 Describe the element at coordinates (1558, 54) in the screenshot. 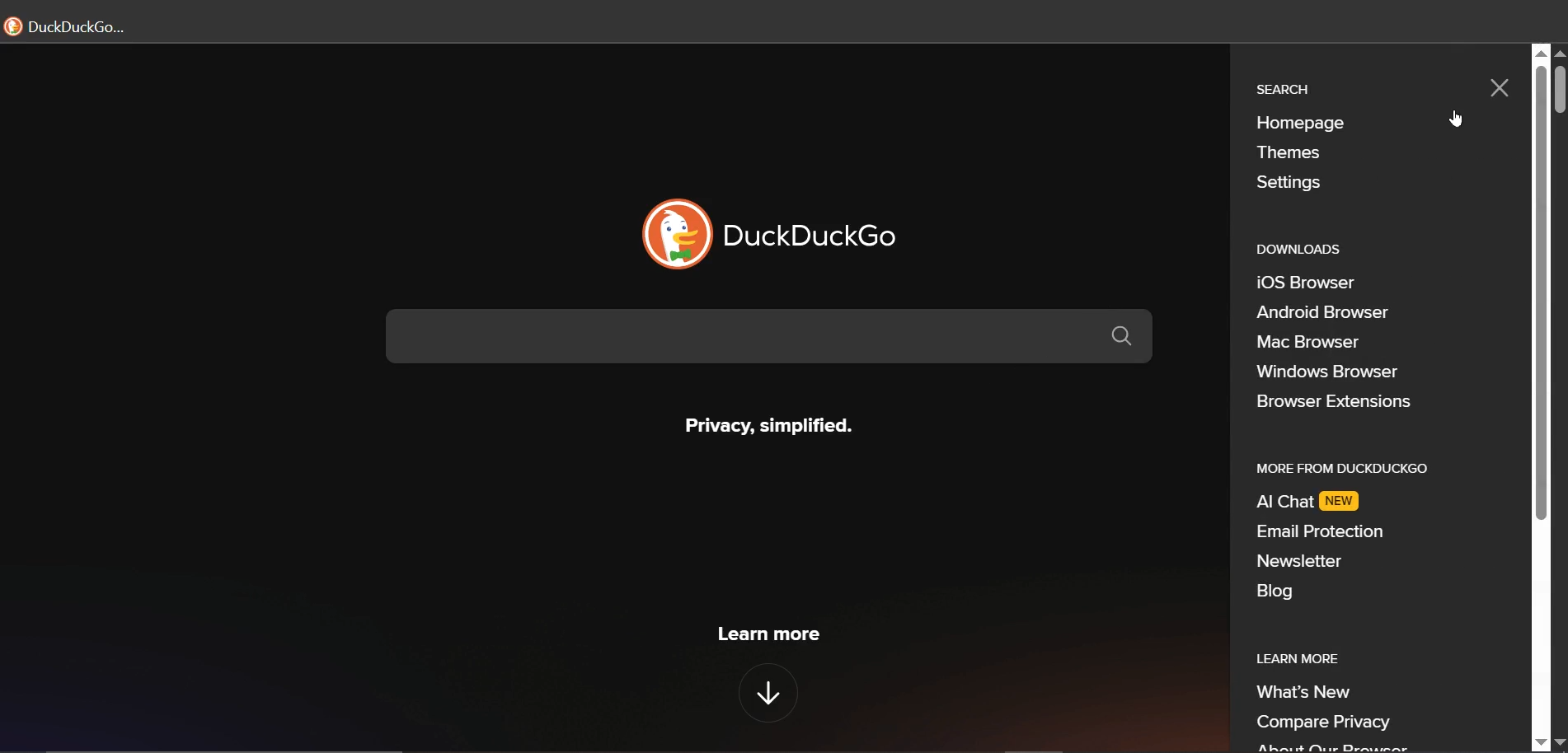

I see `scroll up` at that location.